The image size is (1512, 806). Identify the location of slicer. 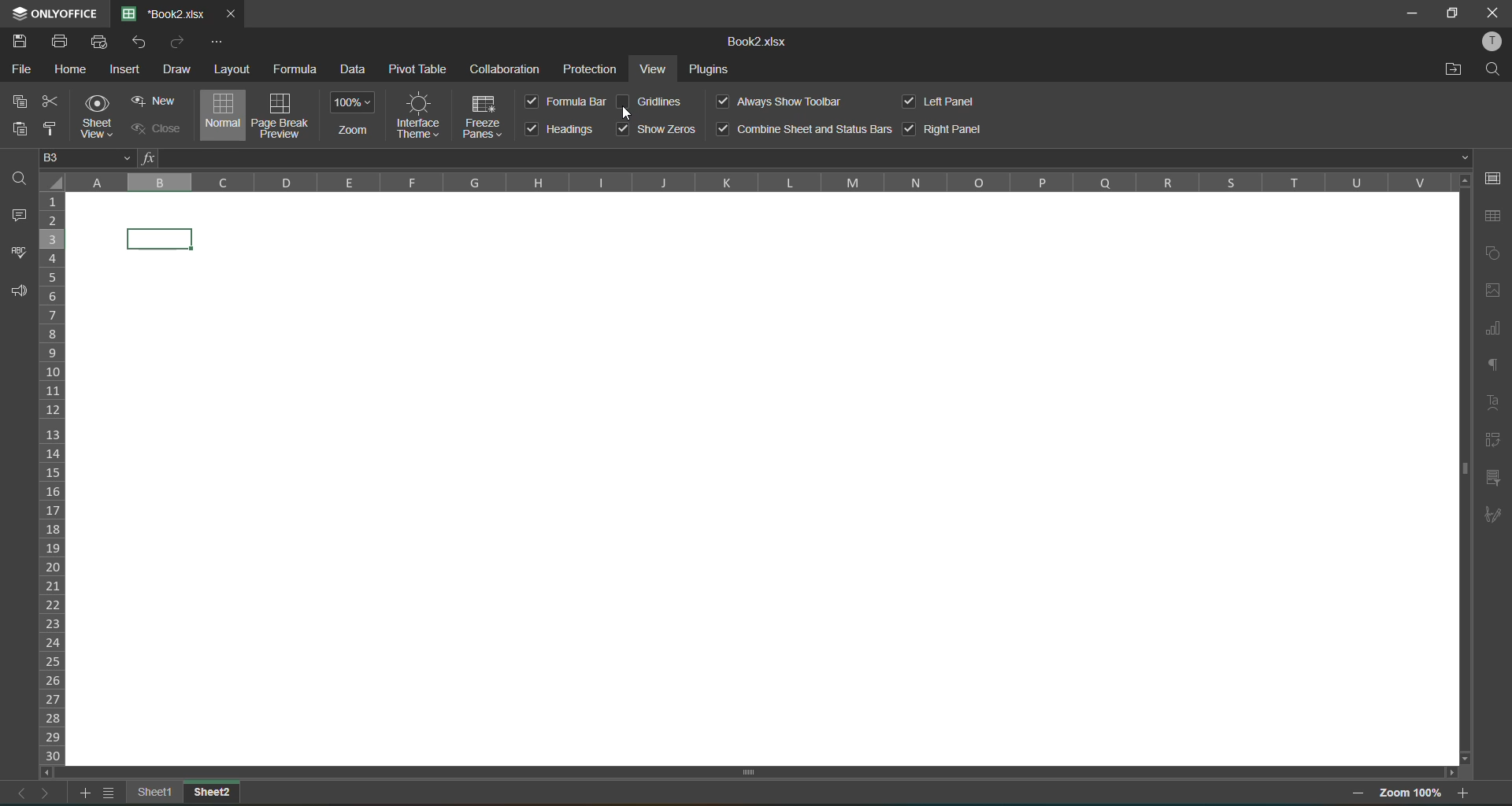
(1496, 477).